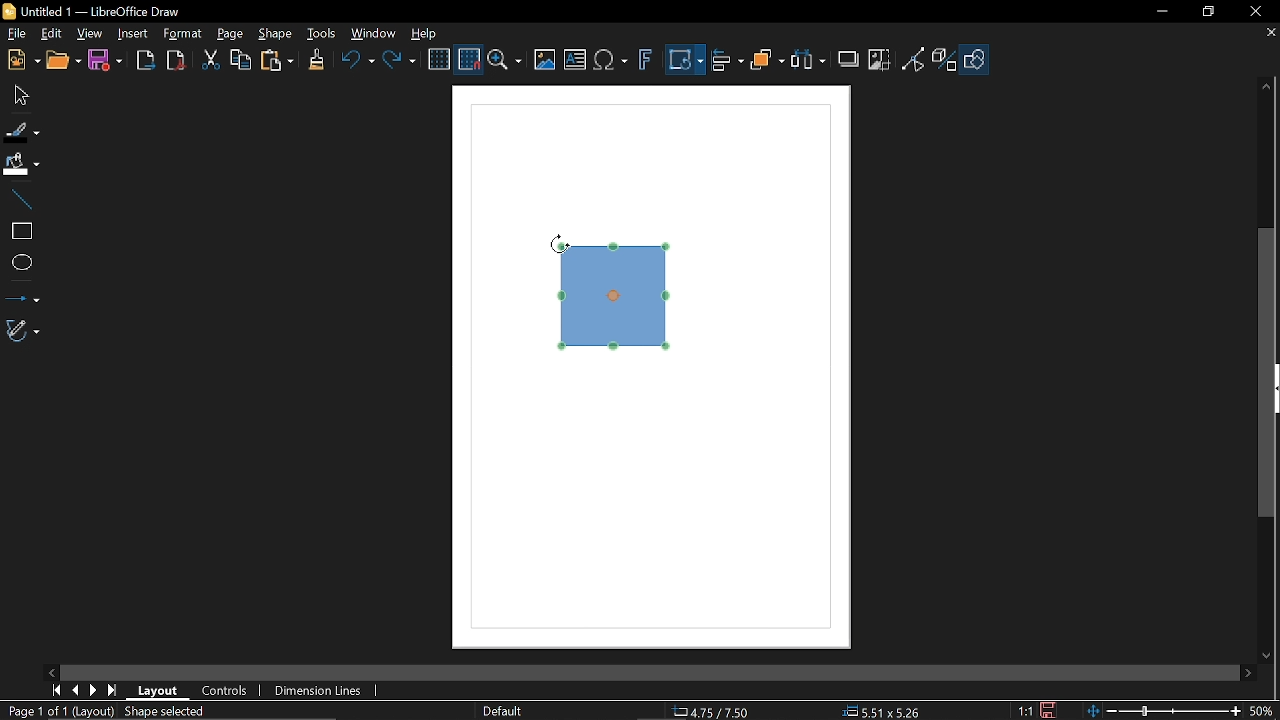 The height and width of the screenshot is (720, 1280). I want to click on Select at least three object to distribute, so click(809, 62).